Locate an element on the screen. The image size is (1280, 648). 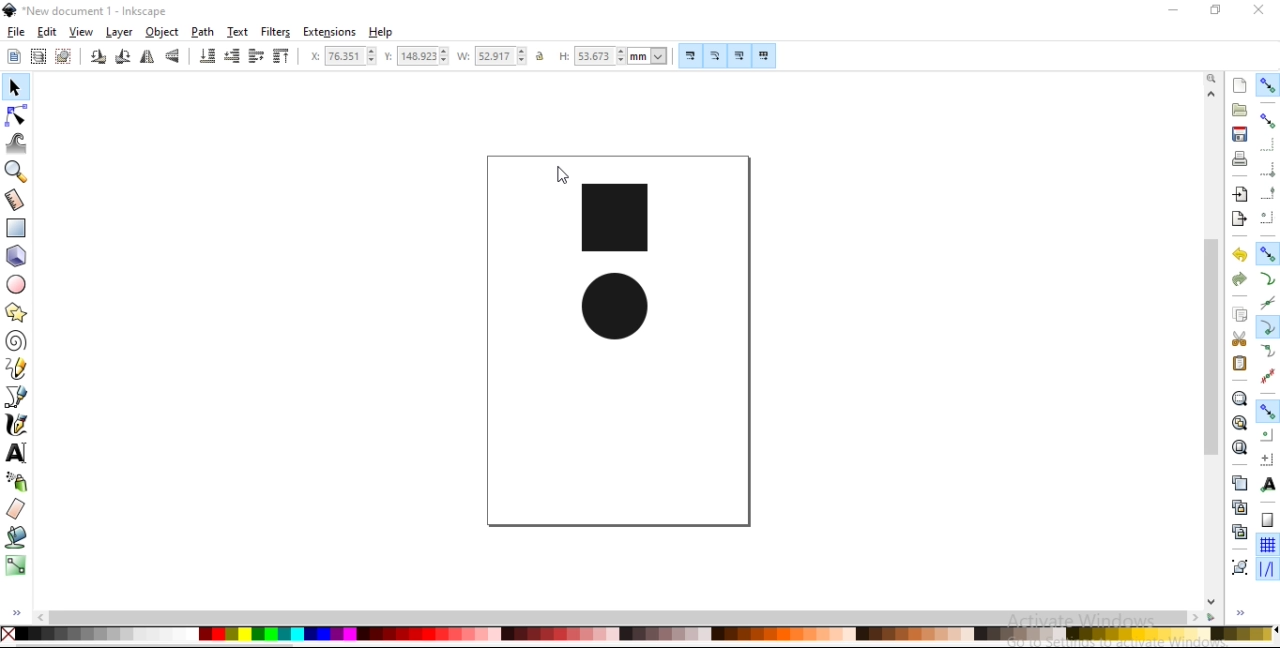
snap centers of objects is located at coordinates (1267, 436).